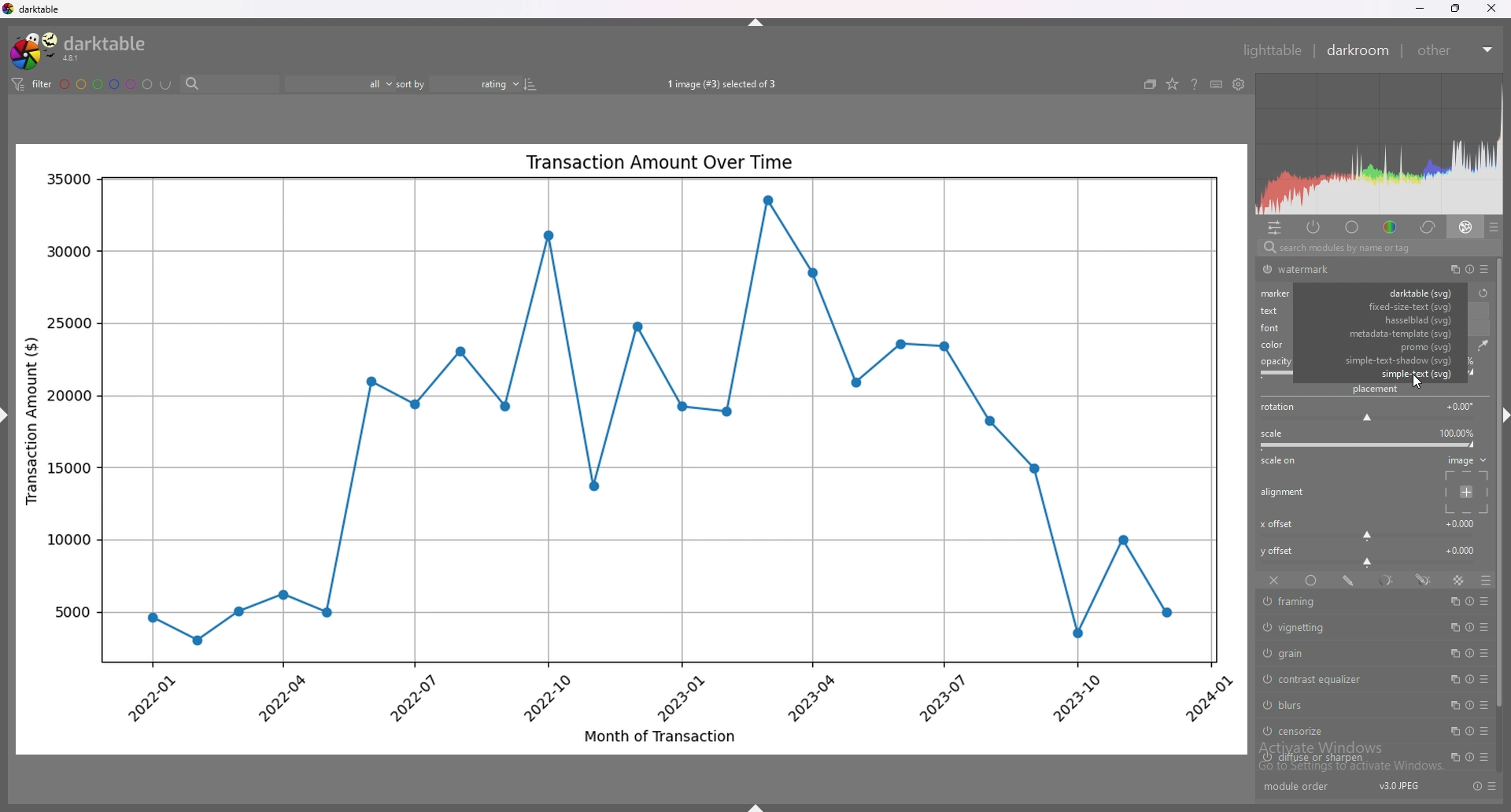 The height and width of the screenshot is (812, 1511). Describe the element at coordinates (1265, 677) in the screenshot. I see `switch off` at that location.